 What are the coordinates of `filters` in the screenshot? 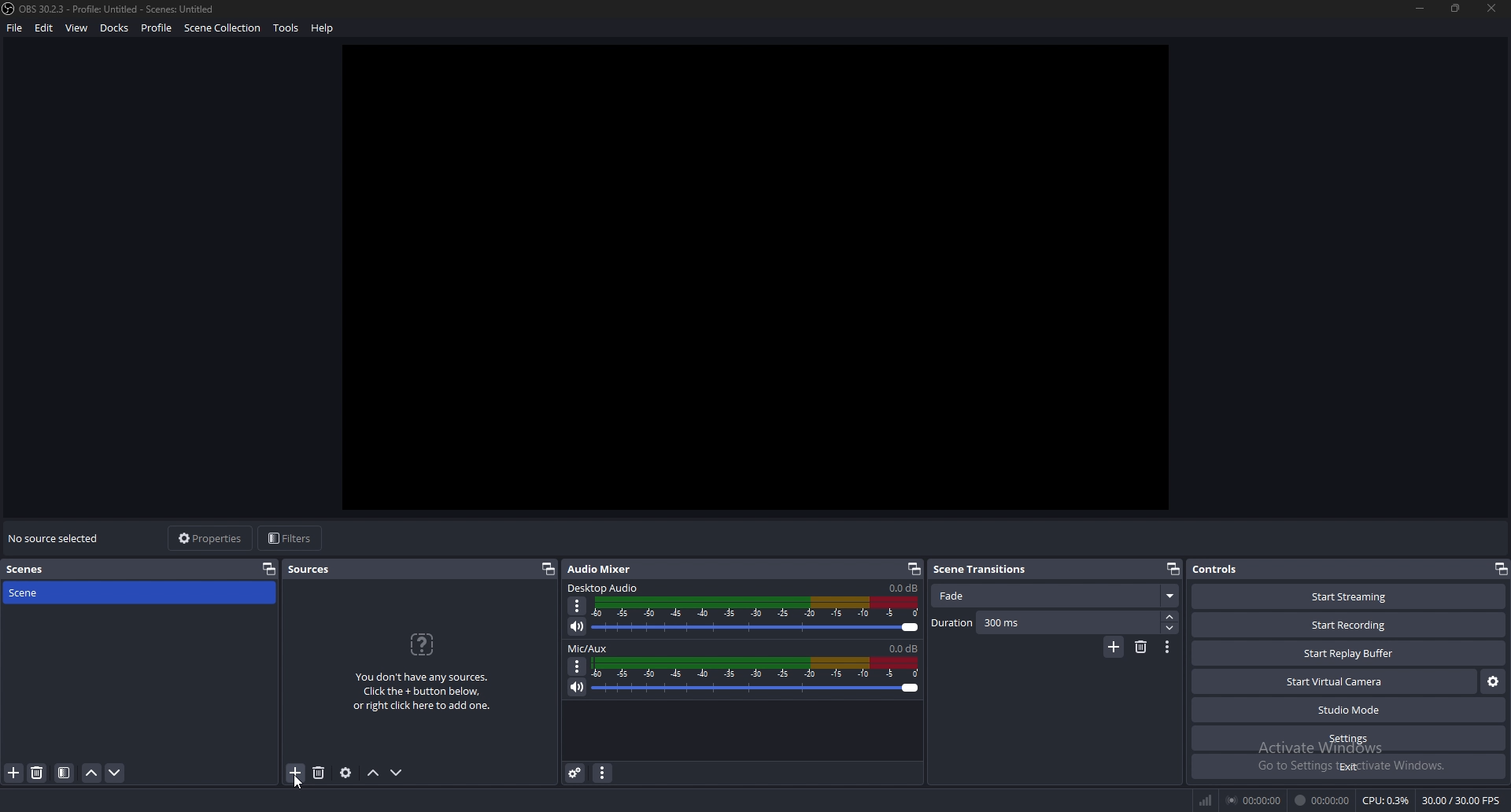 It's located at (290, 538).